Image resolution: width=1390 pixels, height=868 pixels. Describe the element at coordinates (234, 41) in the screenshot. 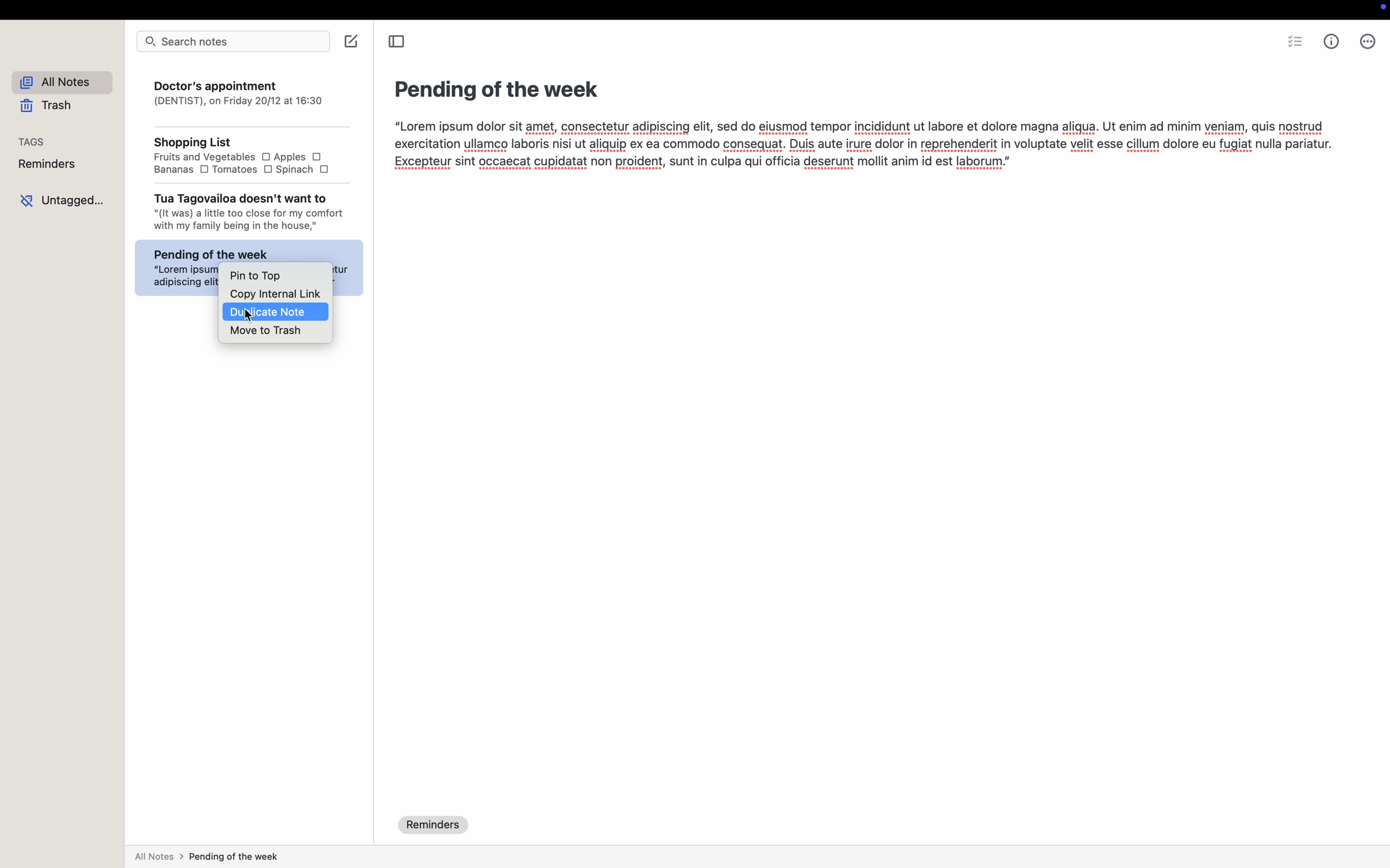

I see `search notes` at that location.